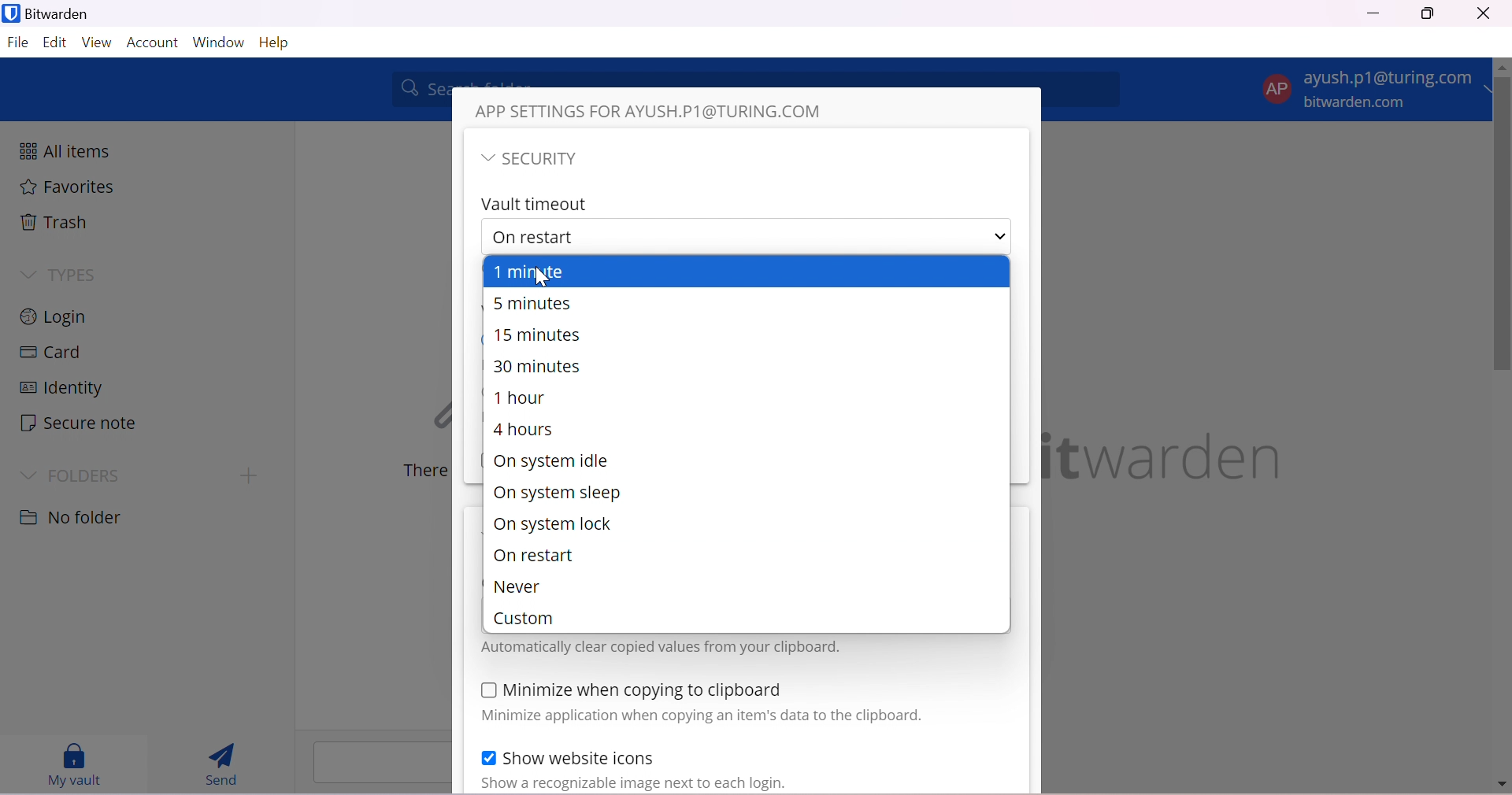  What do you see at coordinates (1373, 12) in the screenshot?
I see `Minimize` at bounding box center [1373, 12].